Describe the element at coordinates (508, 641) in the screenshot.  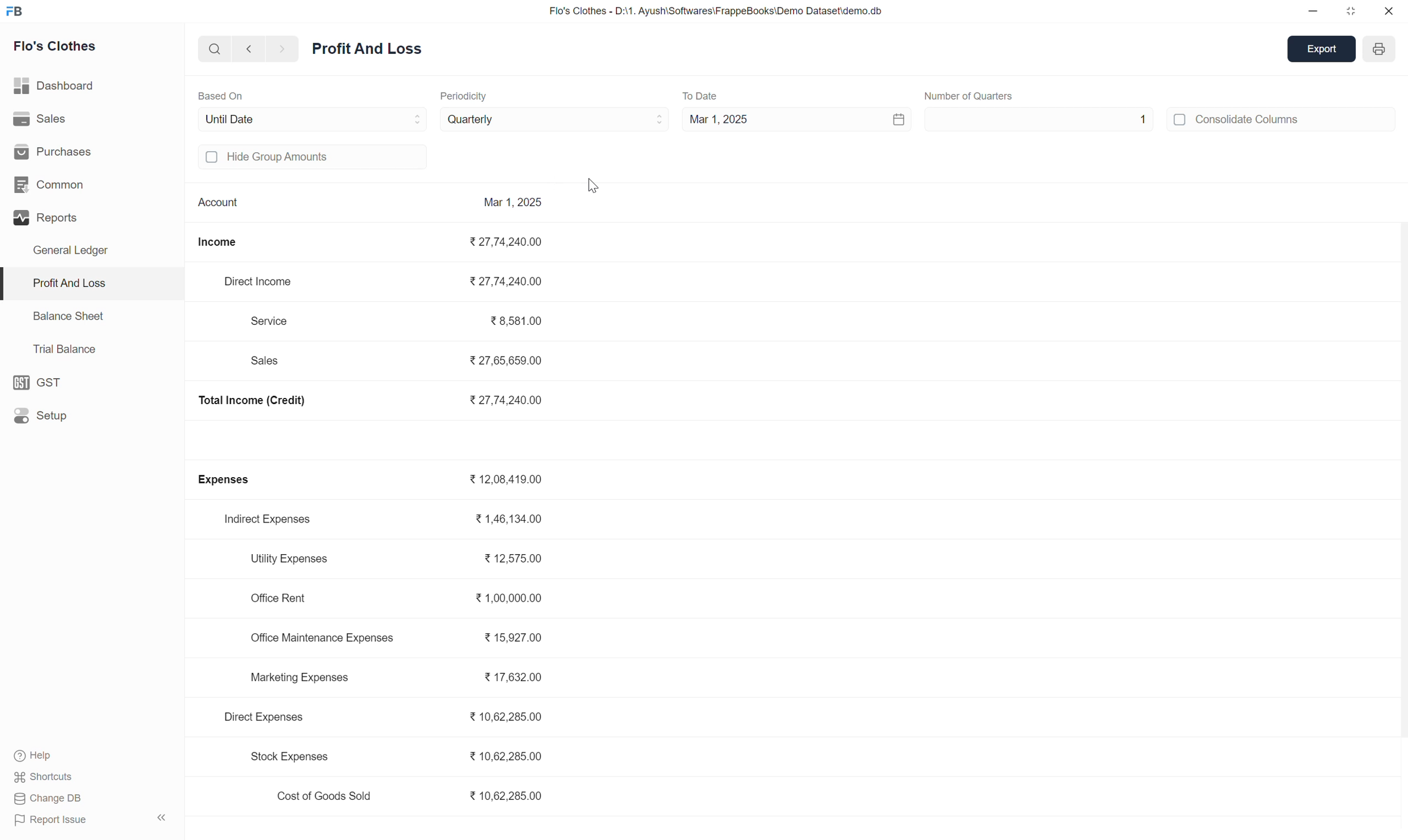
I see `₹15,927.00` at that location.